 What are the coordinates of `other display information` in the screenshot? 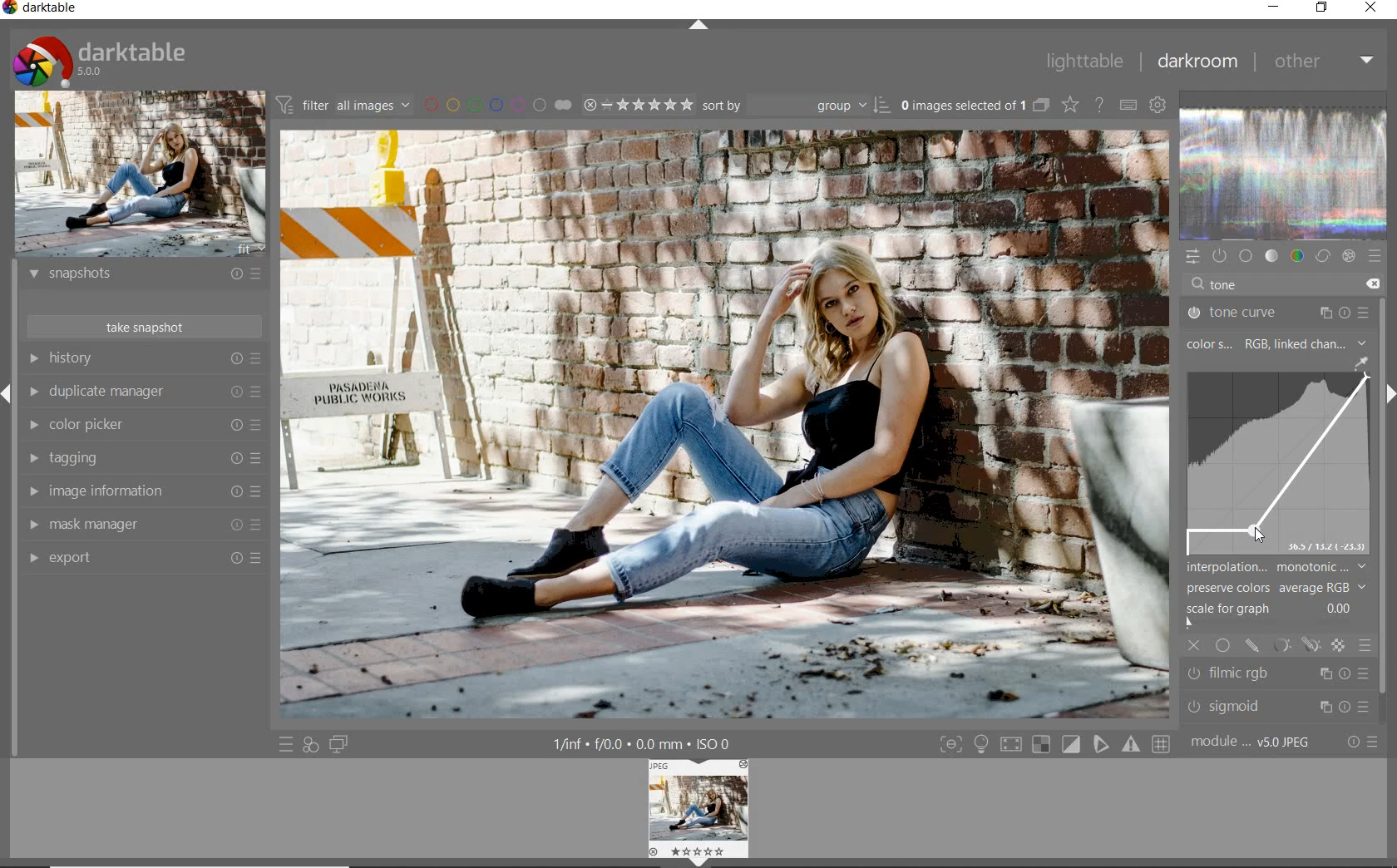 It's located at (644, 743).